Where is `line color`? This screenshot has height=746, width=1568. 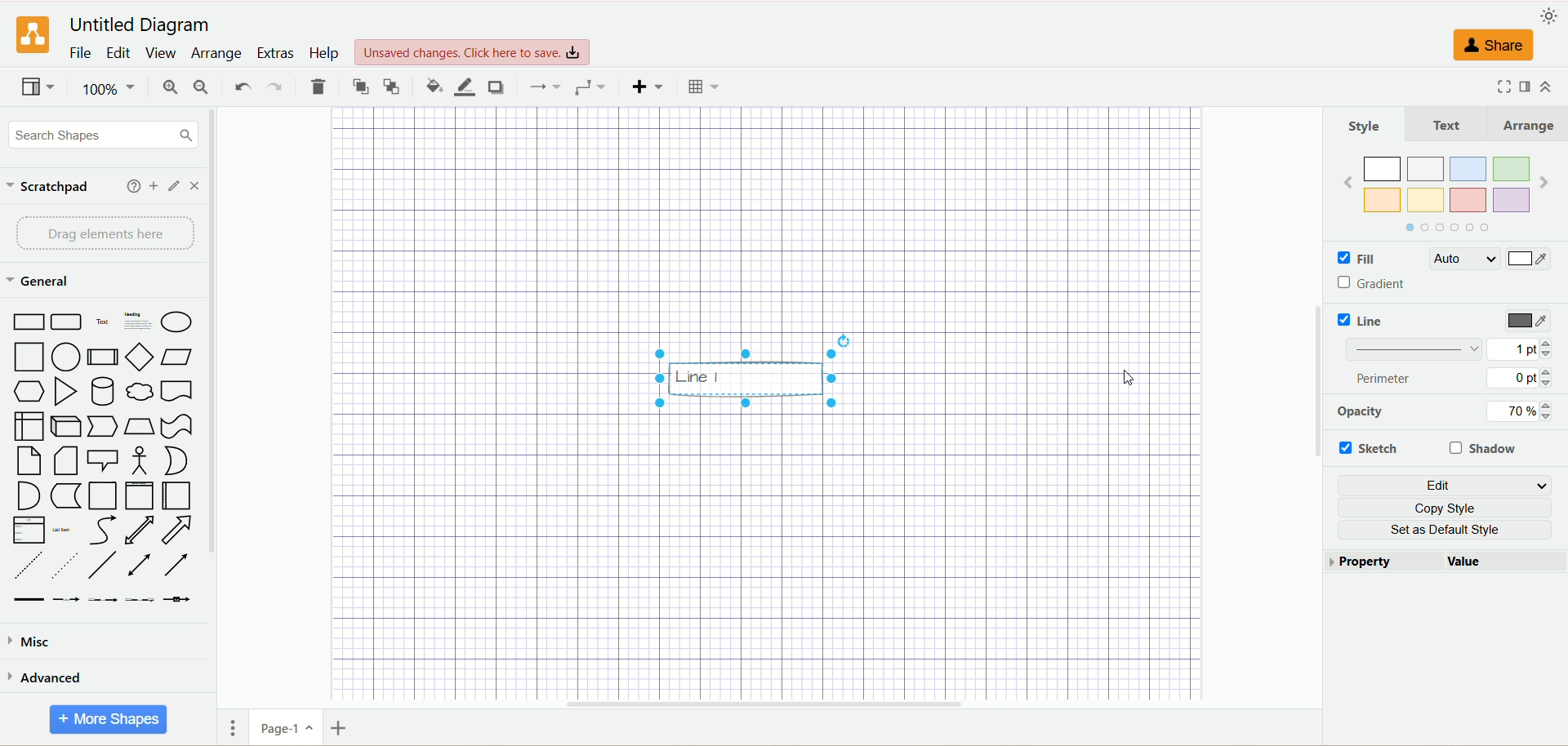 line color is located at coordinates (462, 87).